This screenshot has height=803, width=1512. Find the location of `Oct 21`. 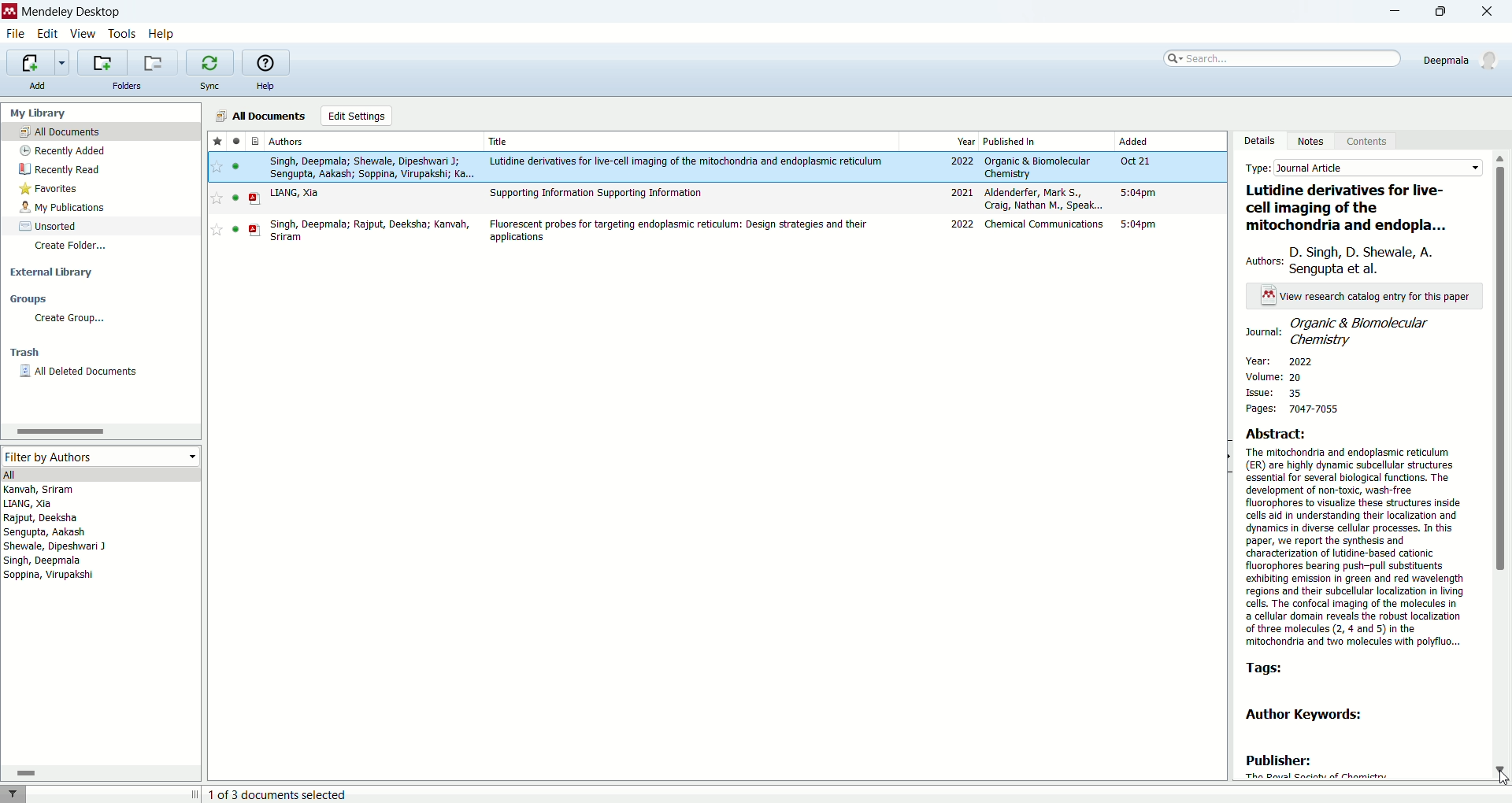

Oct 21 is located at coordinates (1134, 161).